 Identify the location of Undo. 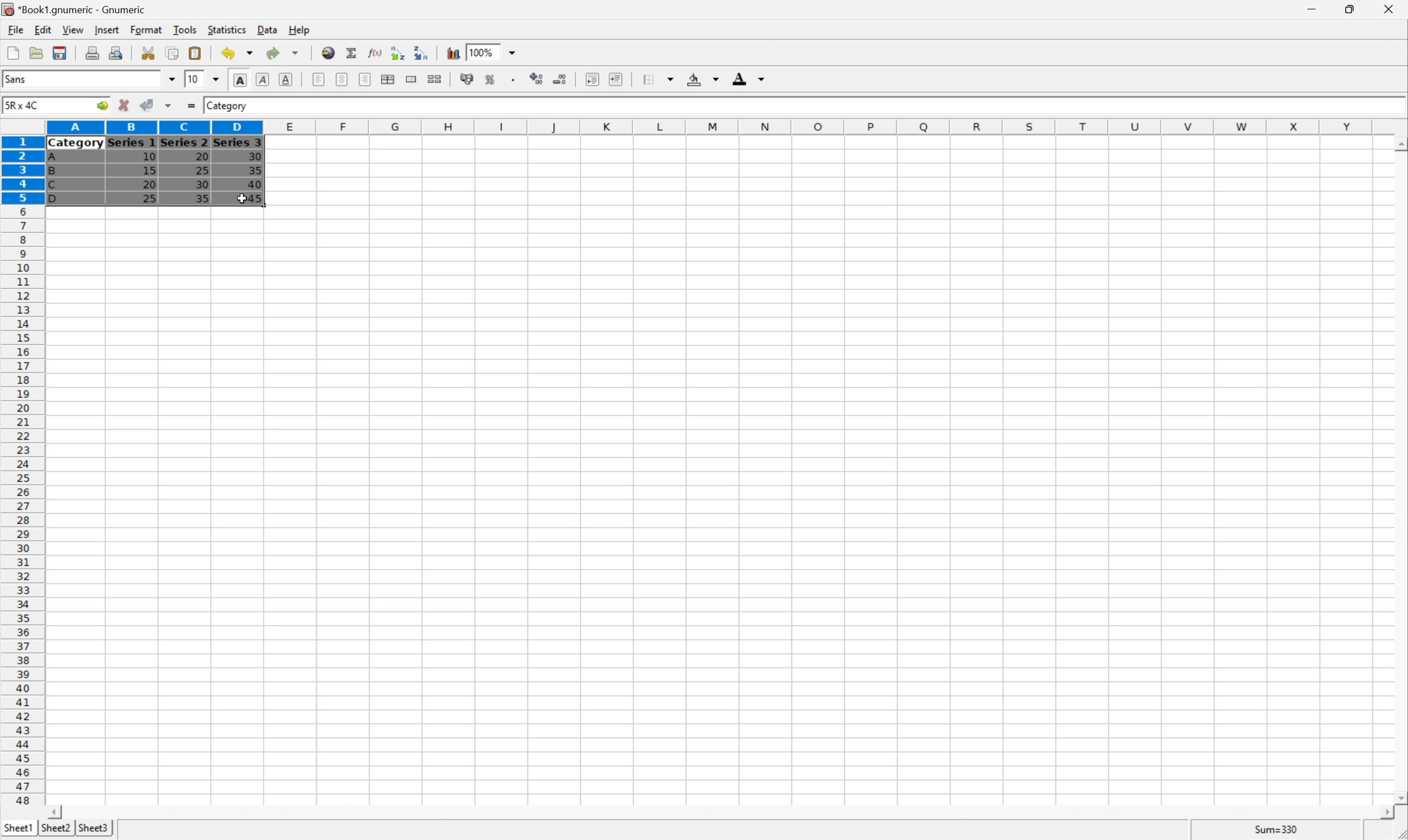
(238, 51).